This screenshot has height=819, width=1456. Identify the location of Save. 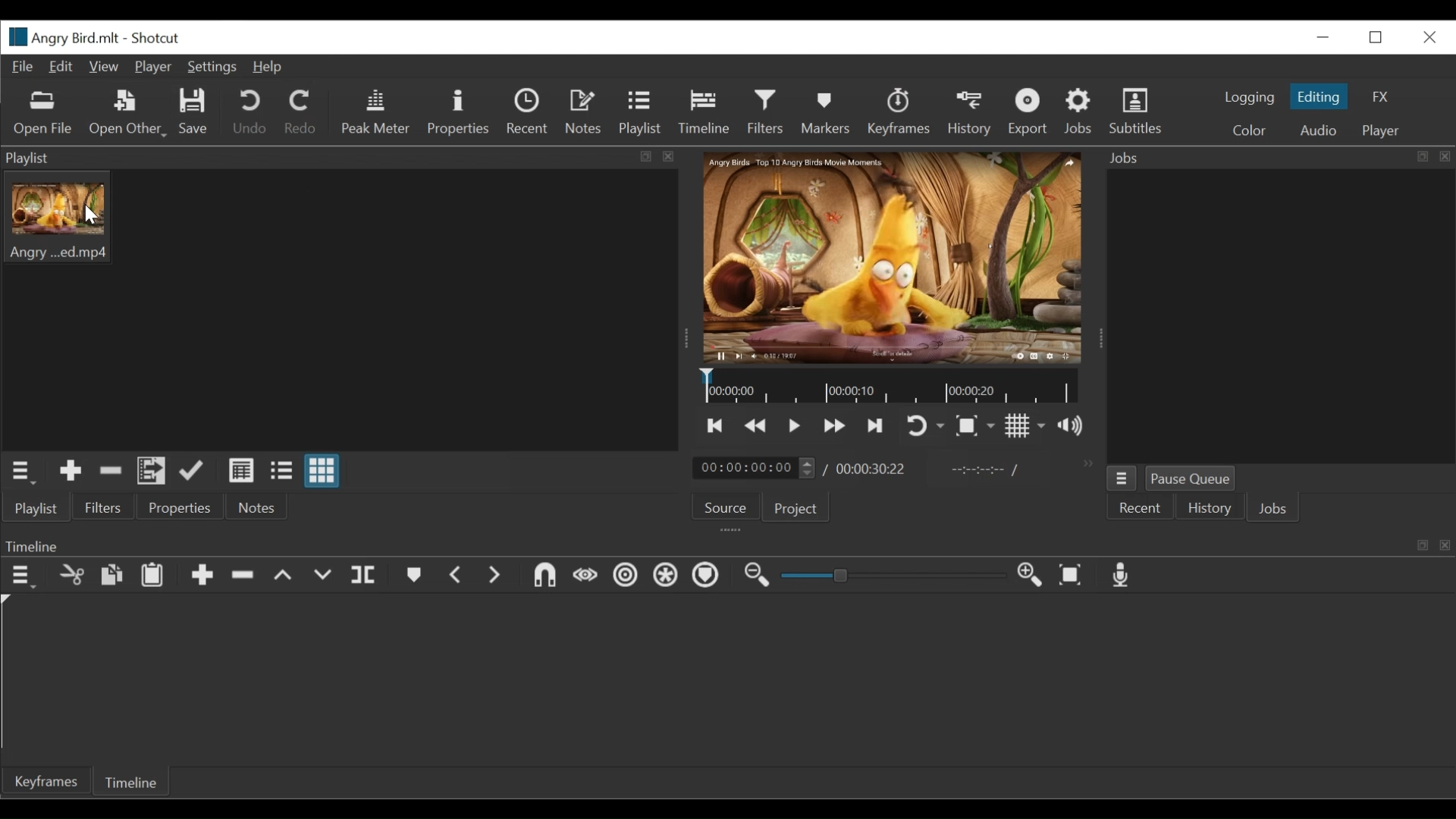
(192, 111).